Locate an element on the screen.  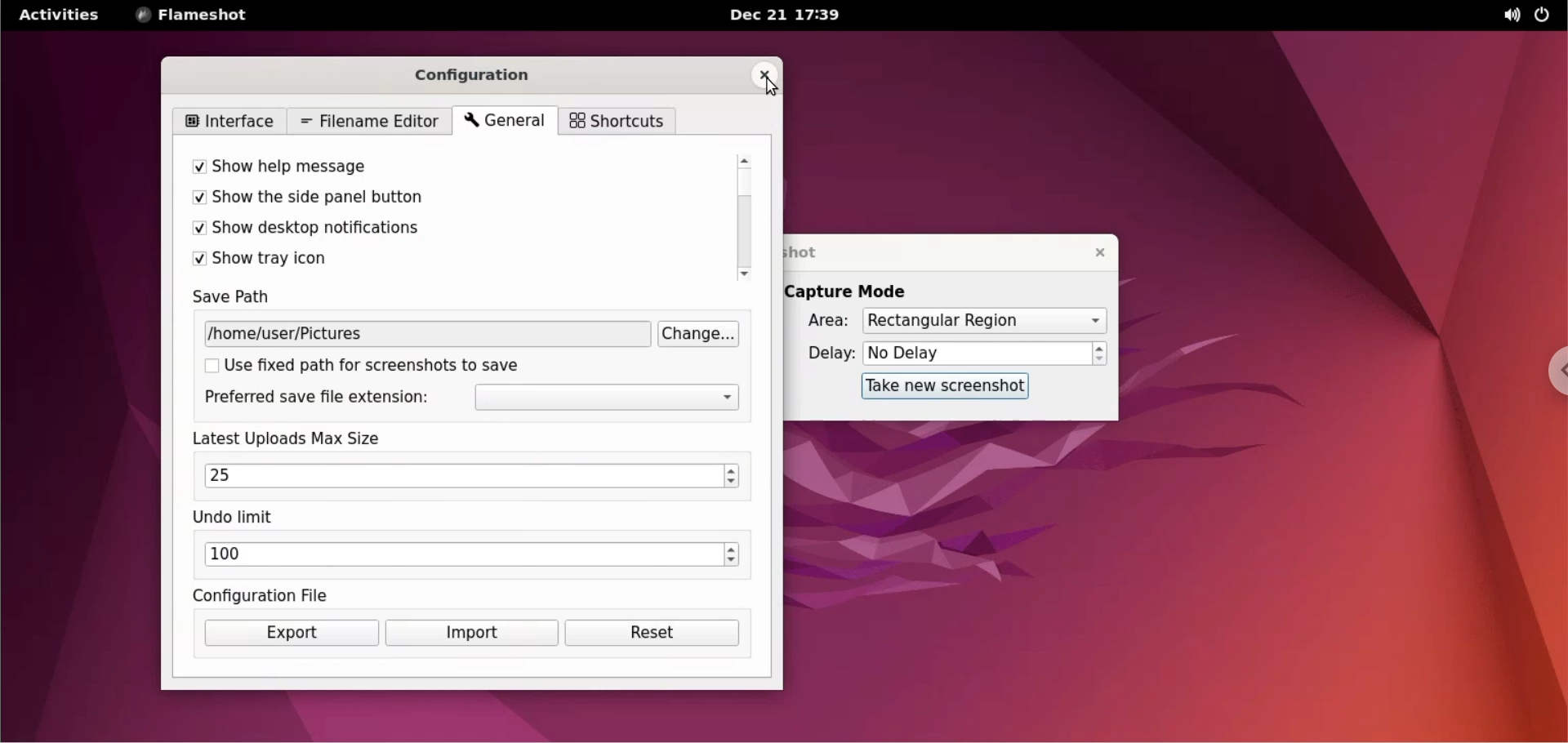
increment and decrement delay time is located at coordinates (1100, 354).